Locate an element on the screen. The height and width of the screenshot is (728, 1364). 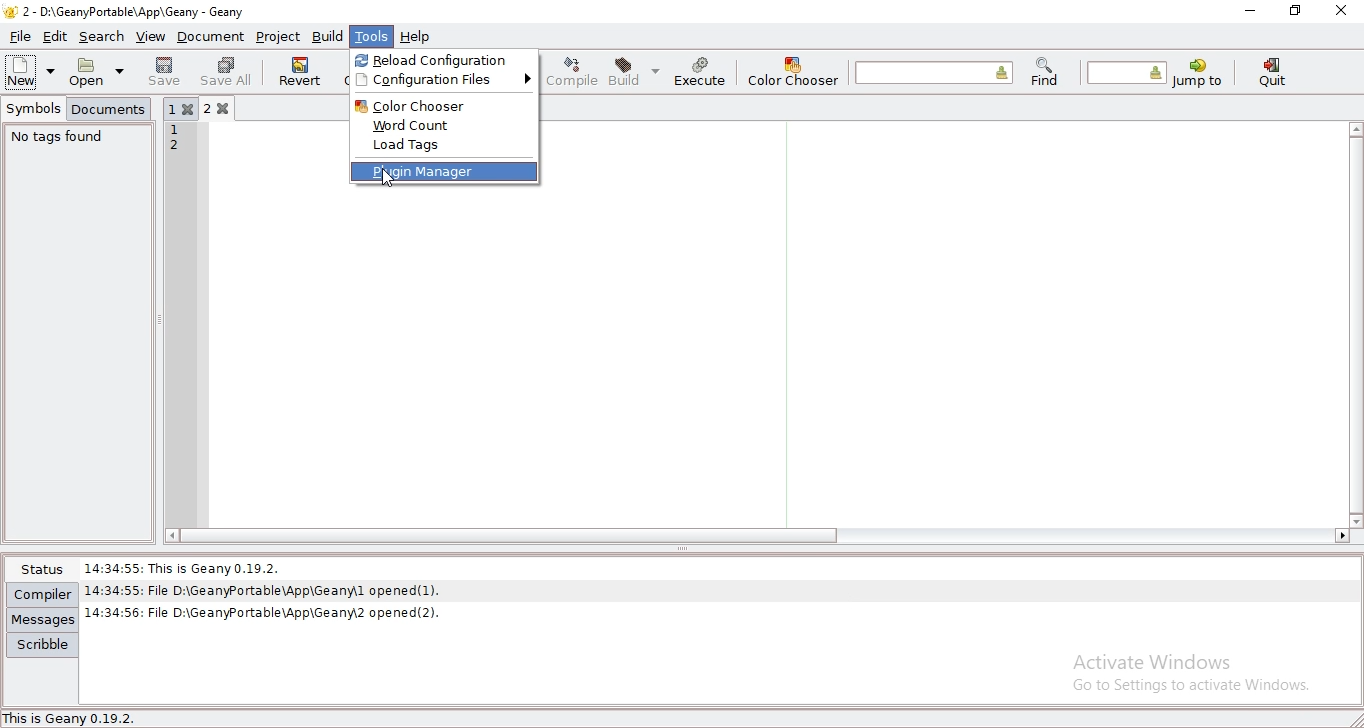
build is located at coordinates (327, 37).